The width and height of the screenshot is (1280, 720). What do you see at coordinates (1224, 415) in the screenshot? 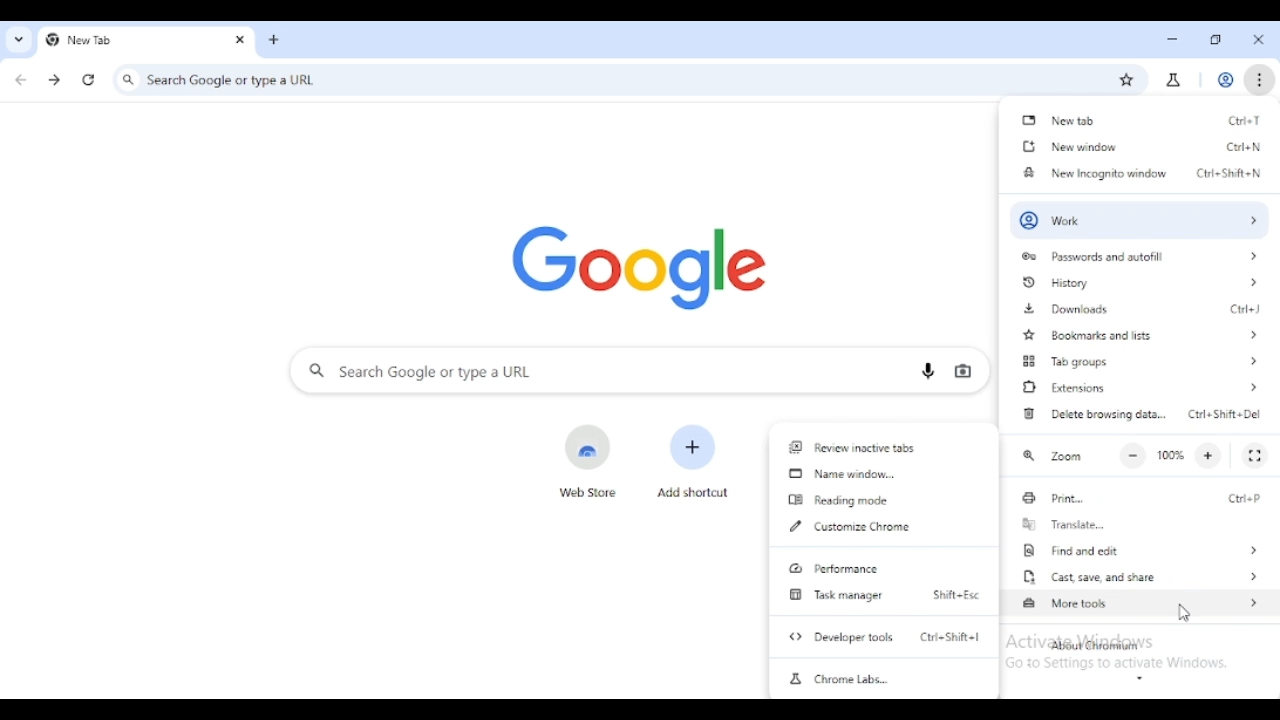
I see `shortcut for delete browsing data` at bounding box center [1224, 415].